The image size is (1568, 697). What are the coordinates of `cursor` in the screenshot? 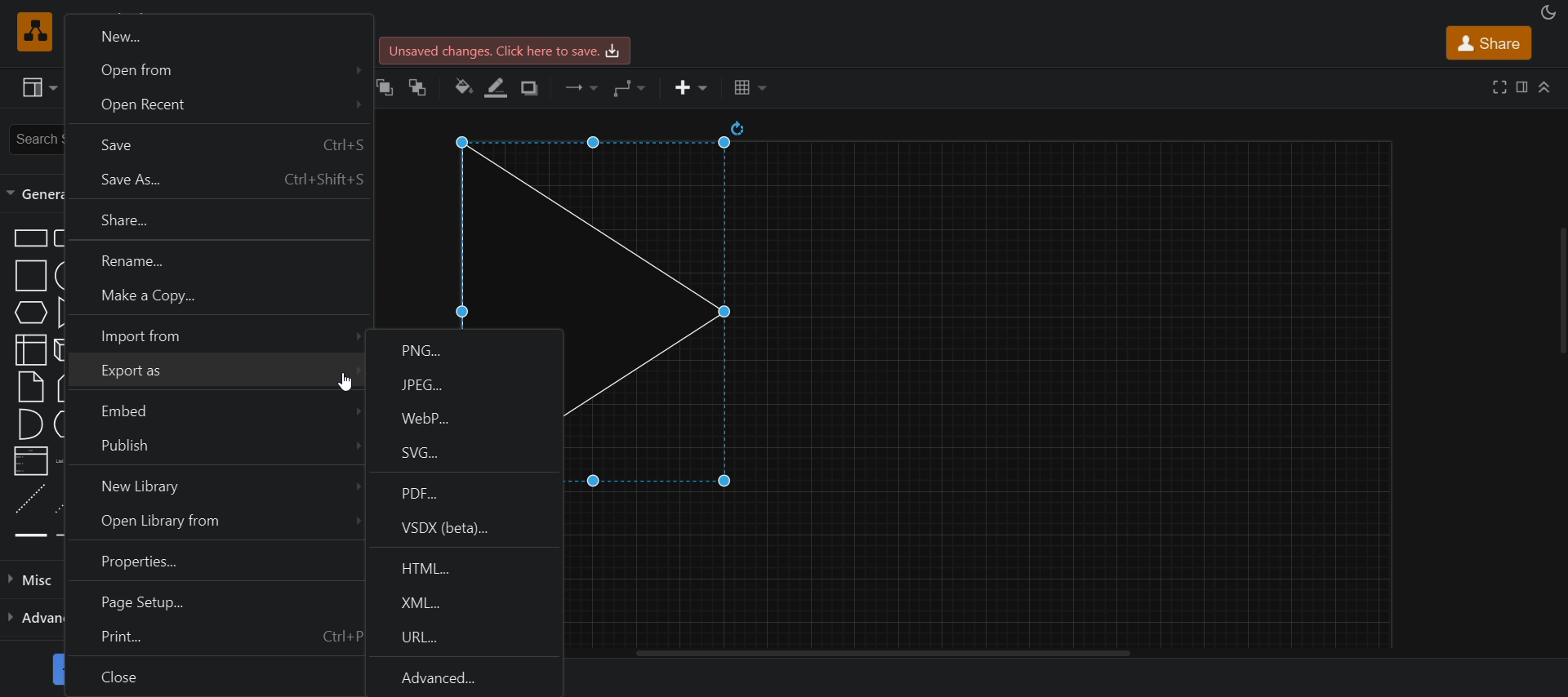 It's located at (346, 383).